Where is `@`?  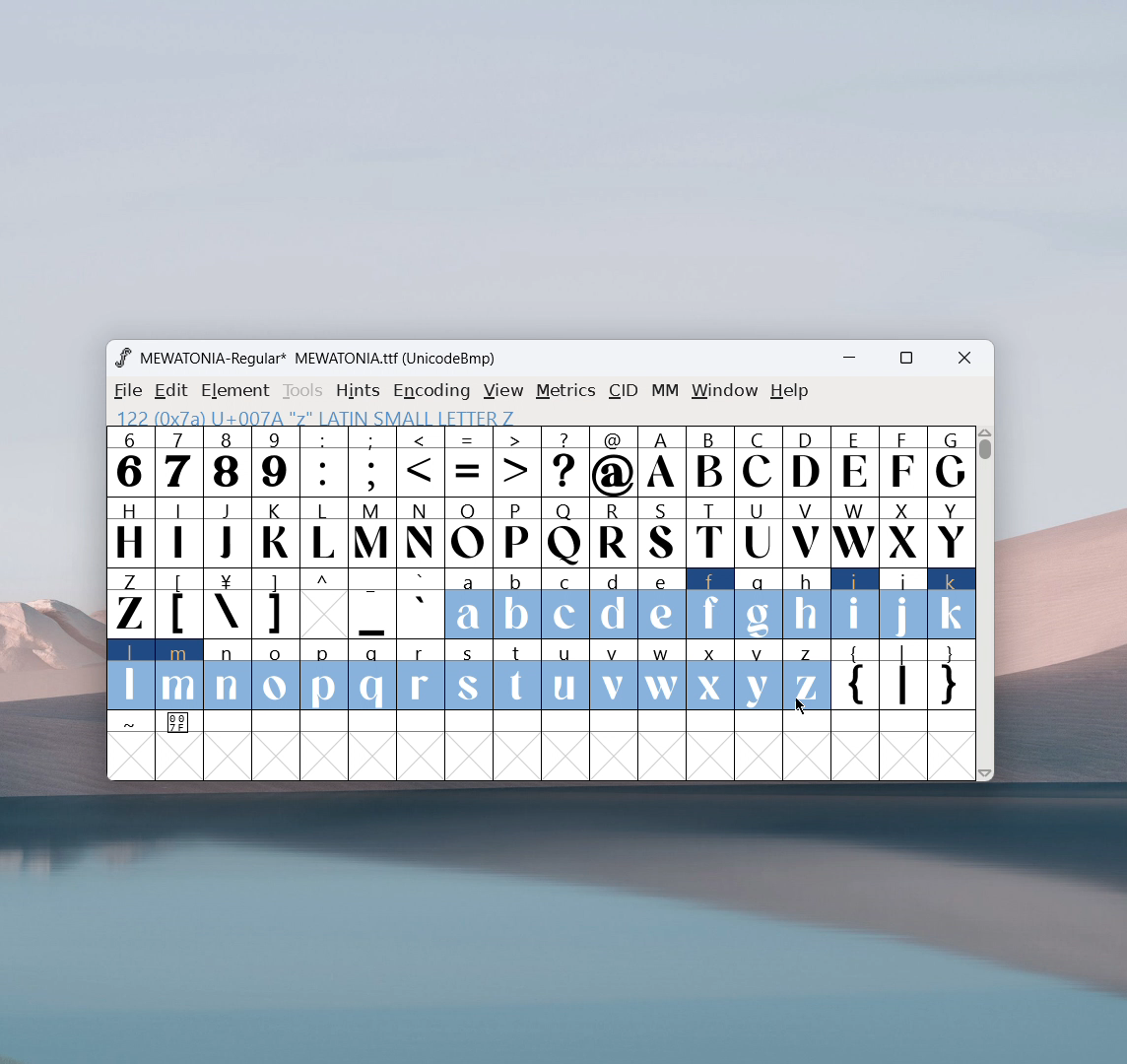
@ is located at coordinates (615, 462).